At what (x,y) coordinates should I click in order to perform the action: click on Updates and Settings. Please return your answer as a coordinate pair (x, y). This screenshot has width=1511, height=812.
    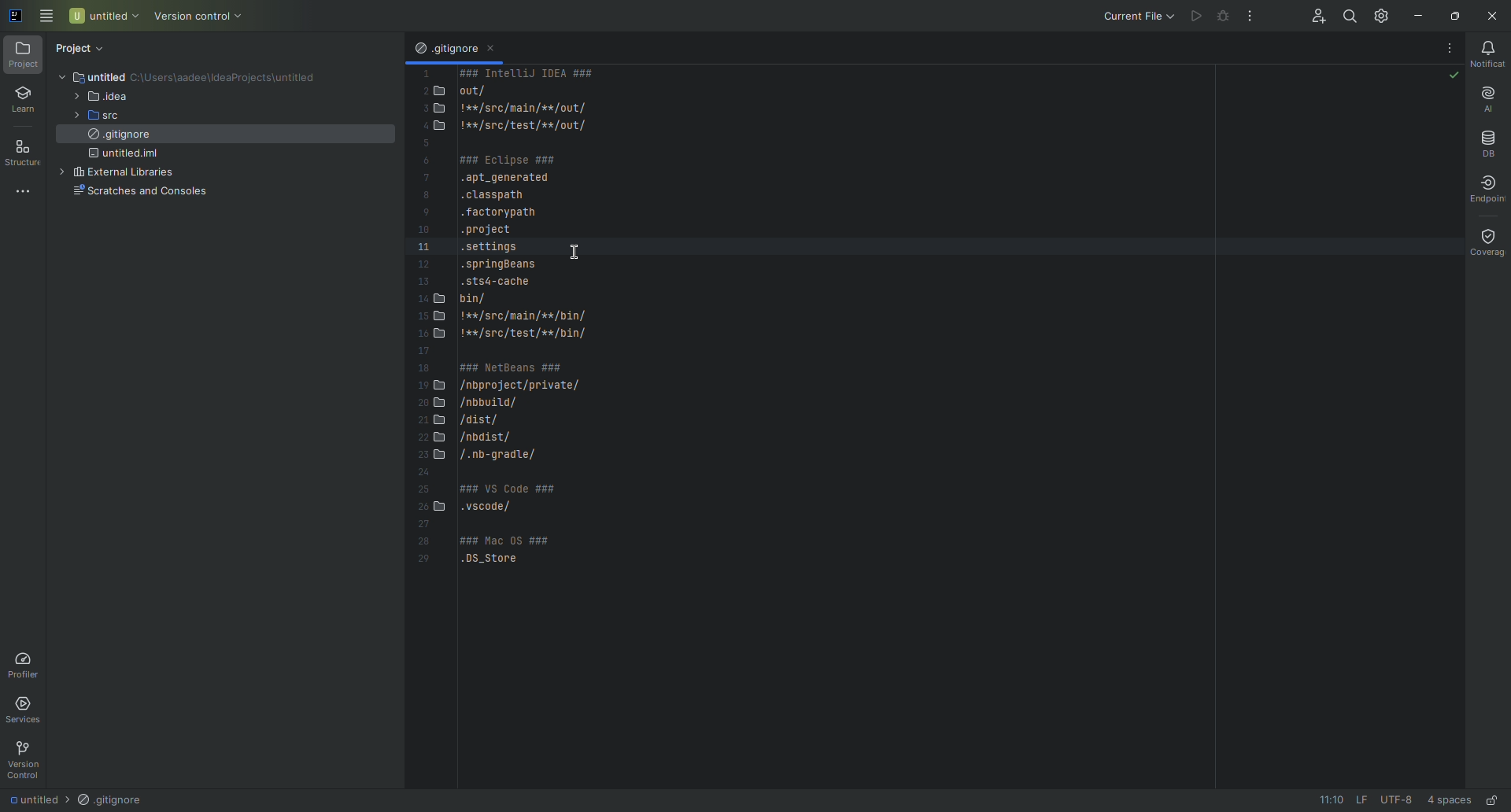
    Looking at the image, I should click on (1380, 13).